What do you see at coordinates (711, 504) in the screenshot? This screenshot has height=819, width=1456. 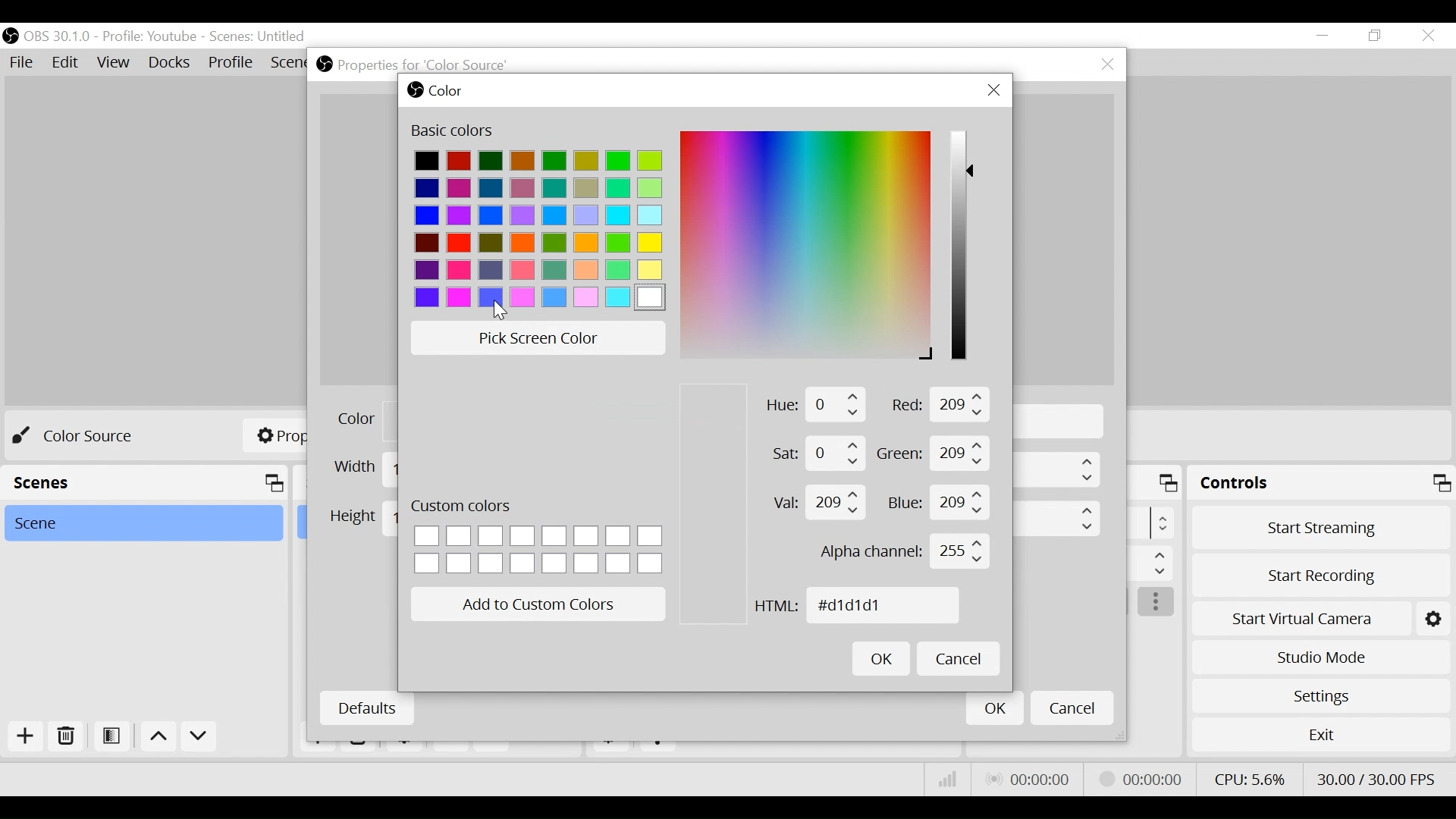 I see `Color Preview` at bounding box center [711, 504].